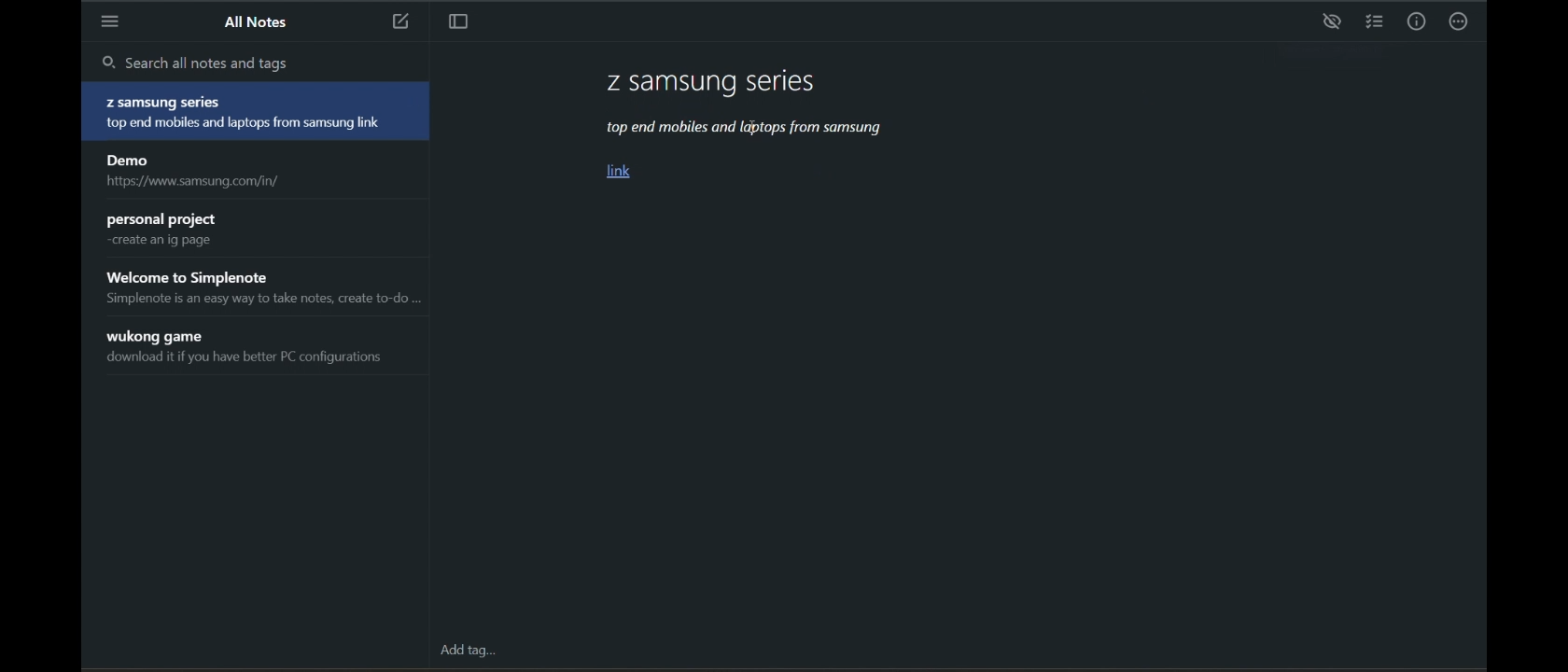 Image resolution: width=1568 pixels, height=672 pixels. What do you see at coordinates (259, 230) in the screenshot?
I see `personal project create an ig page` at bounding box center [259, 230].